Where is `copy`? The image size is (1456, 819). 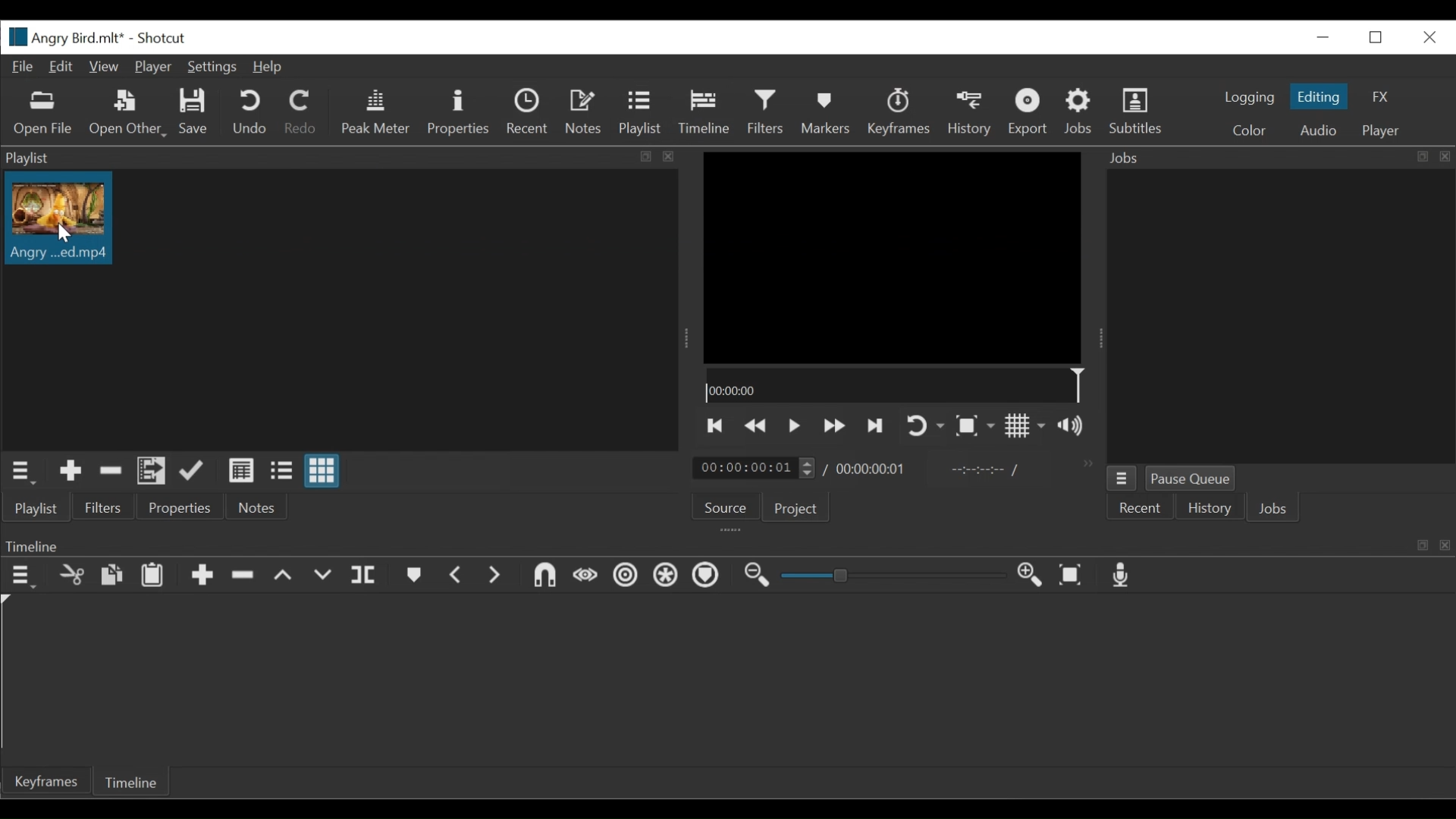
copy is located at coordinates (111, 576).